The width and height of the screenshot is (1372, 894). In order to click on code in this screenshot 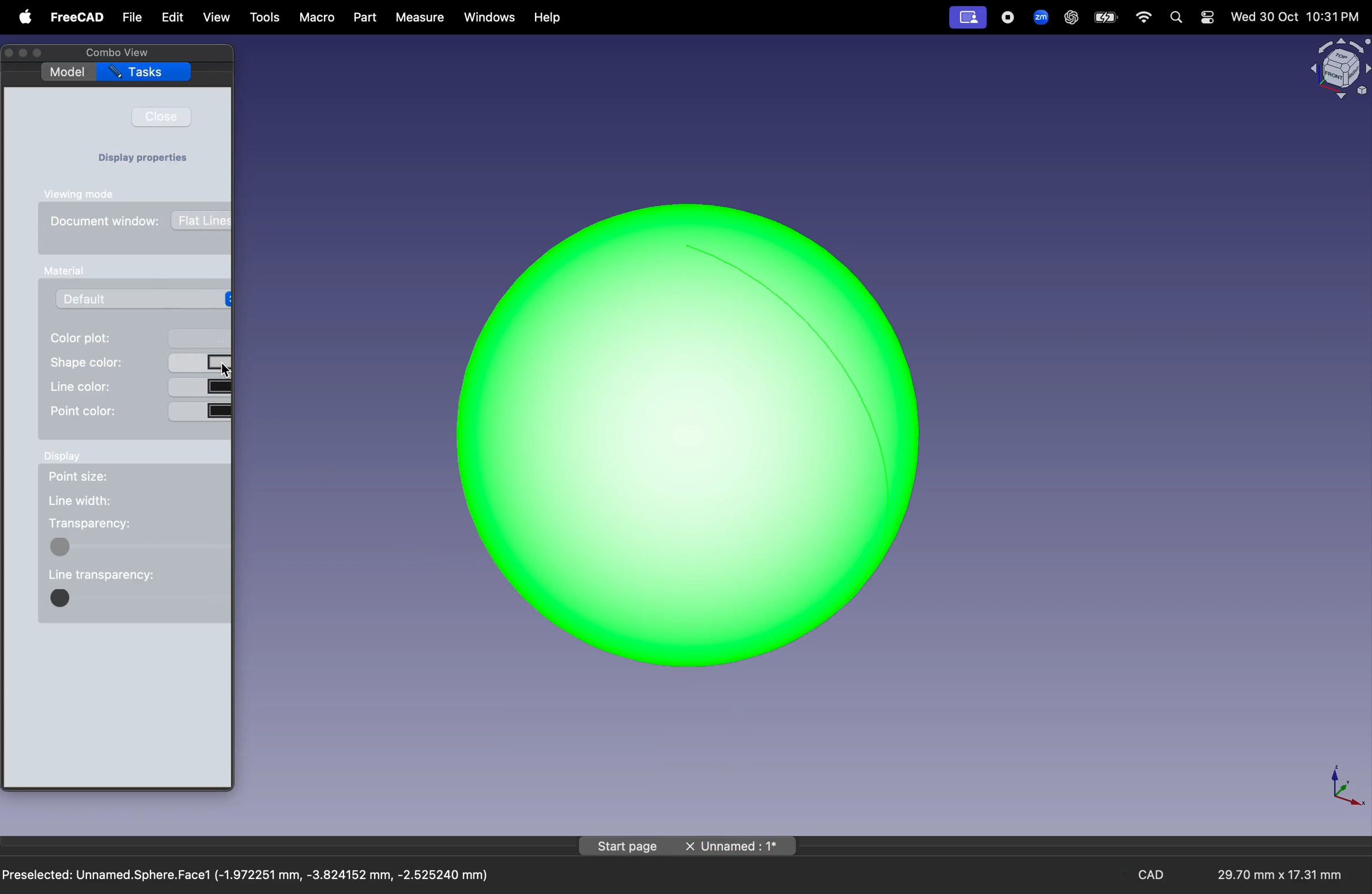, I will do `click(136, 599)`.